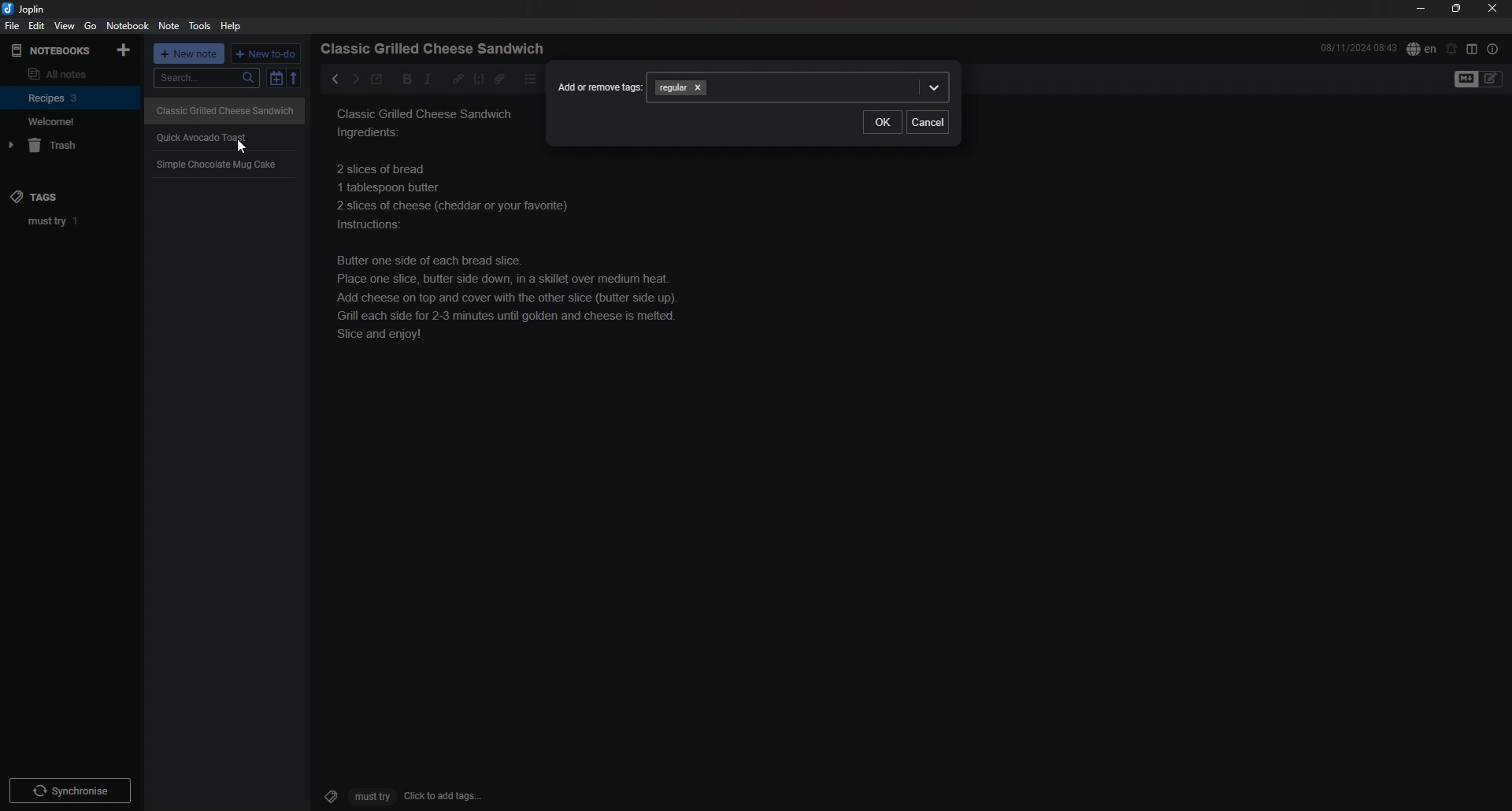 This screenshot has width=1512, height=811. I want to click on minimize, so click(1421, 9).